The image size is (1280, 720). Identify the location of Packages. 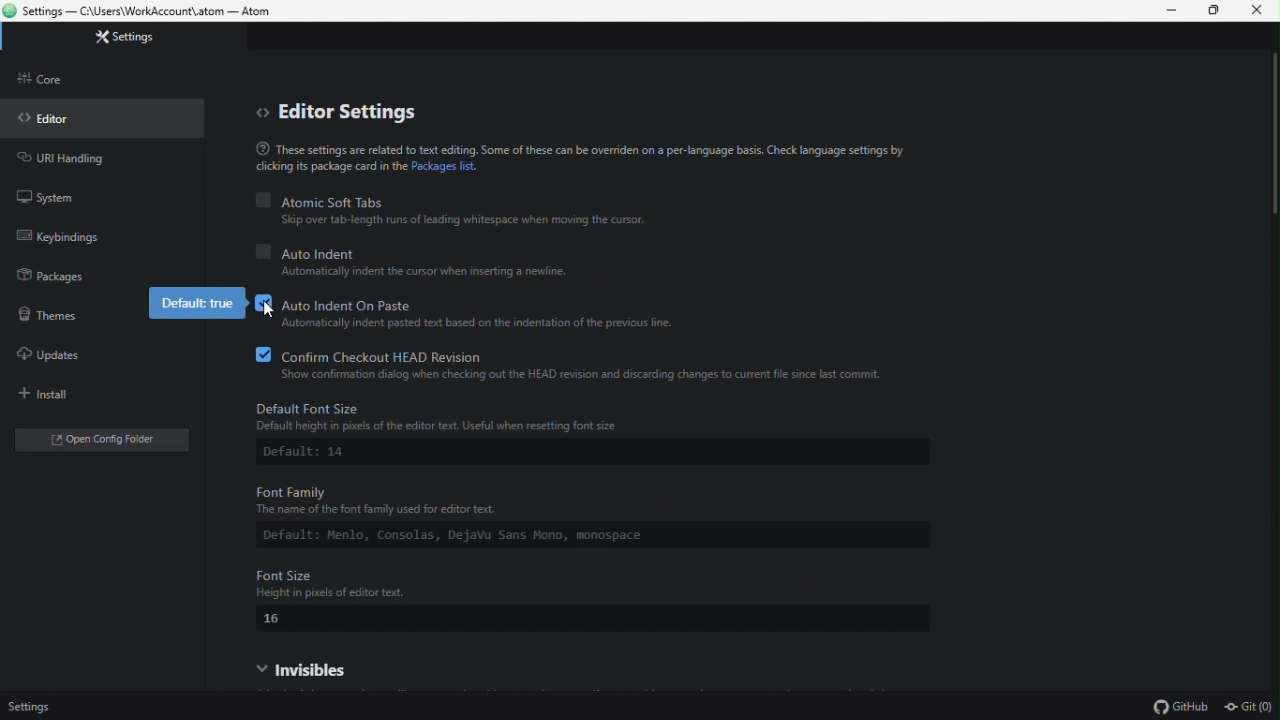
(57, 277).